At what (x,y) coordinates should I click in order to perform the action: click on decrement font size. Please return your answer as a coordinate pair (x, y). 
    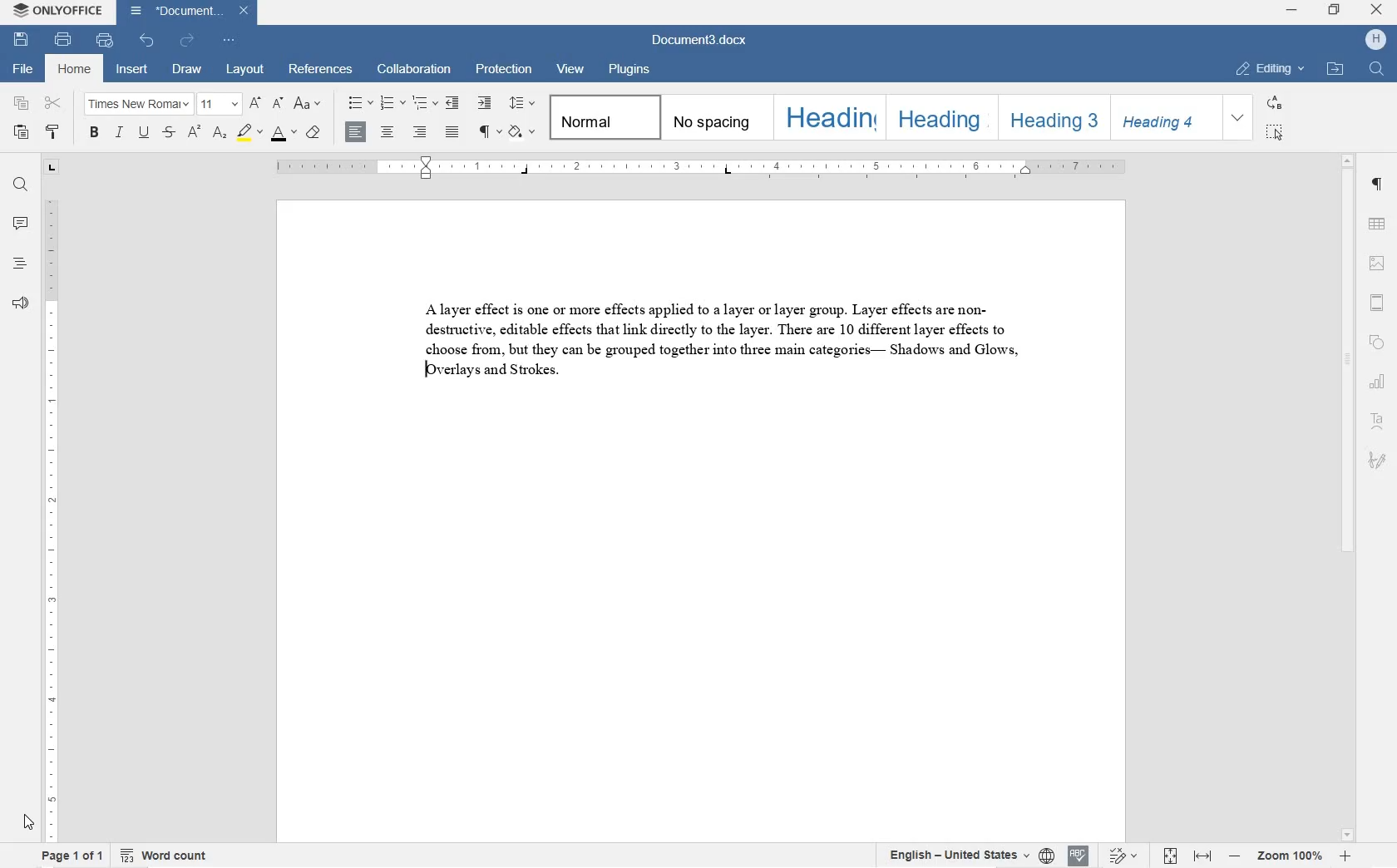
    Looking at the image, I should click on (279, 102).